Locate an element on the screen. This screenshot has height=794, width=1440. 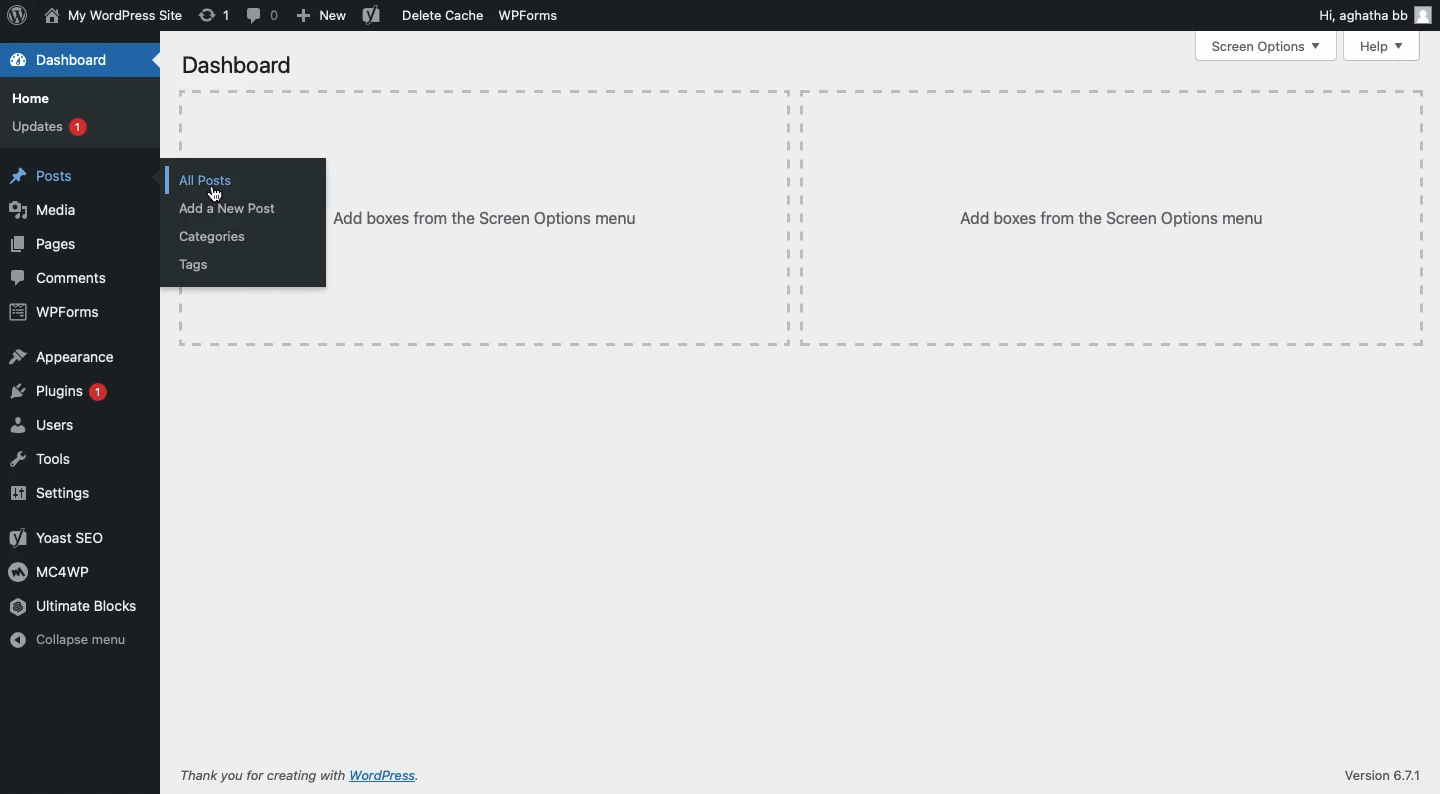
Name is located at coordinates (113, 17).